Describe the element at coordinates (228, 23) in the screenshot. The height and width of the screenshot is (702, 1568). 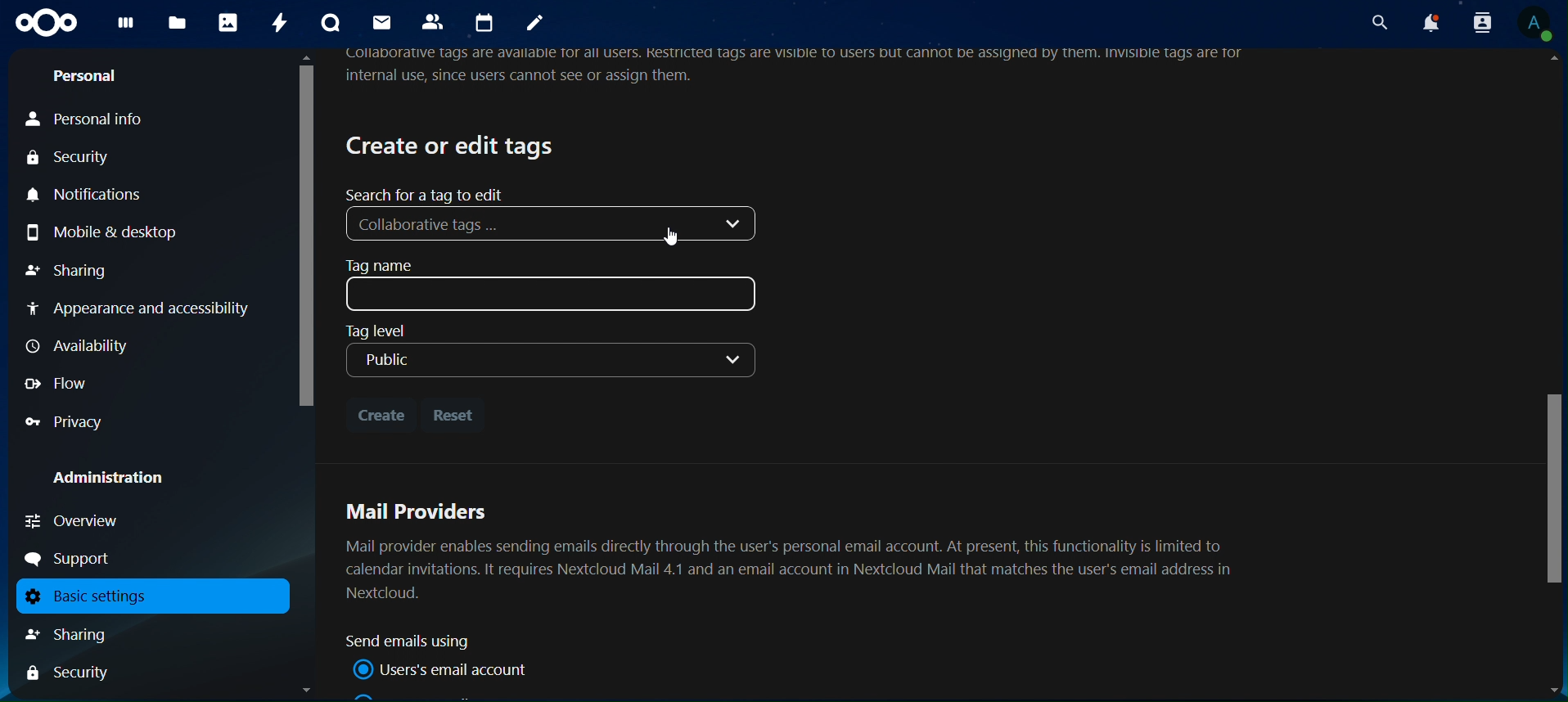
I see `photos` at that location.